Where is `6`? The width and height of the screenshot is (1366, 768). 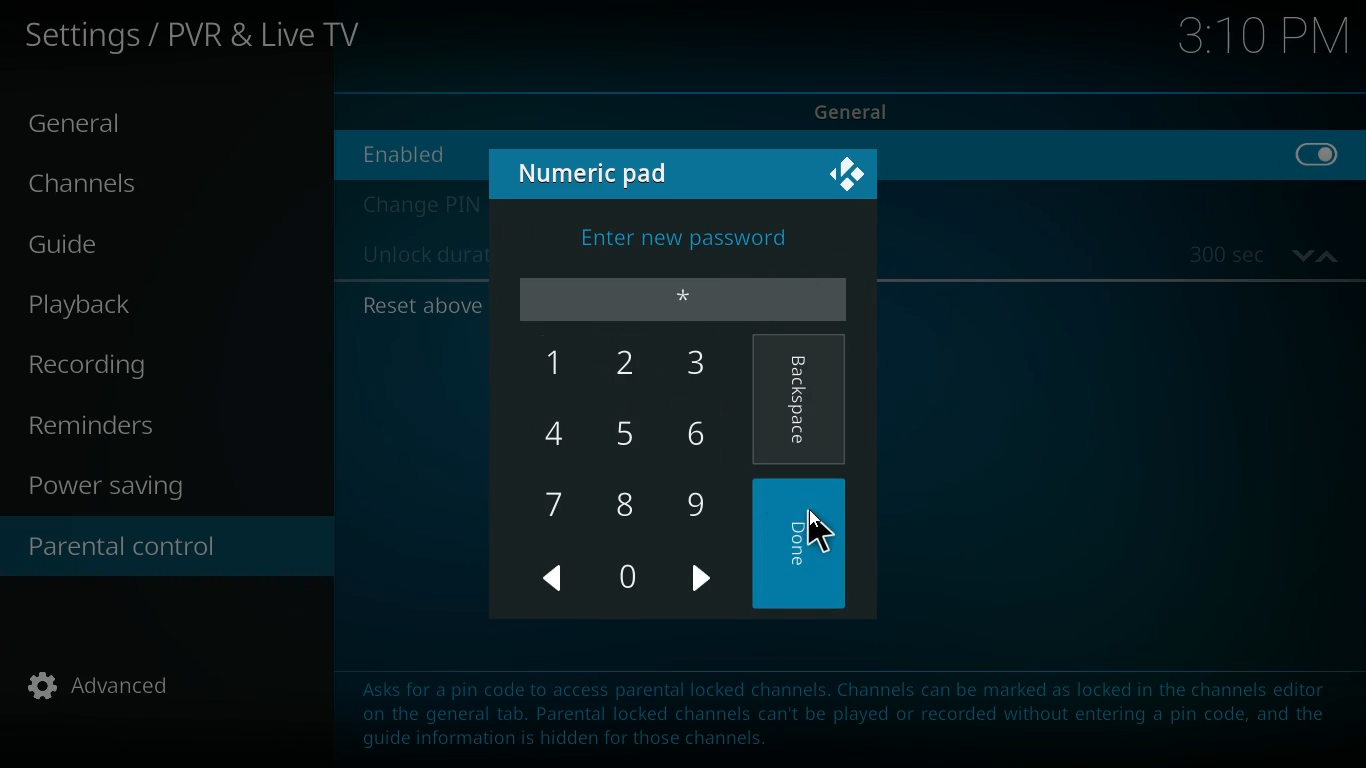 6 is located at coordinates (699, 434).